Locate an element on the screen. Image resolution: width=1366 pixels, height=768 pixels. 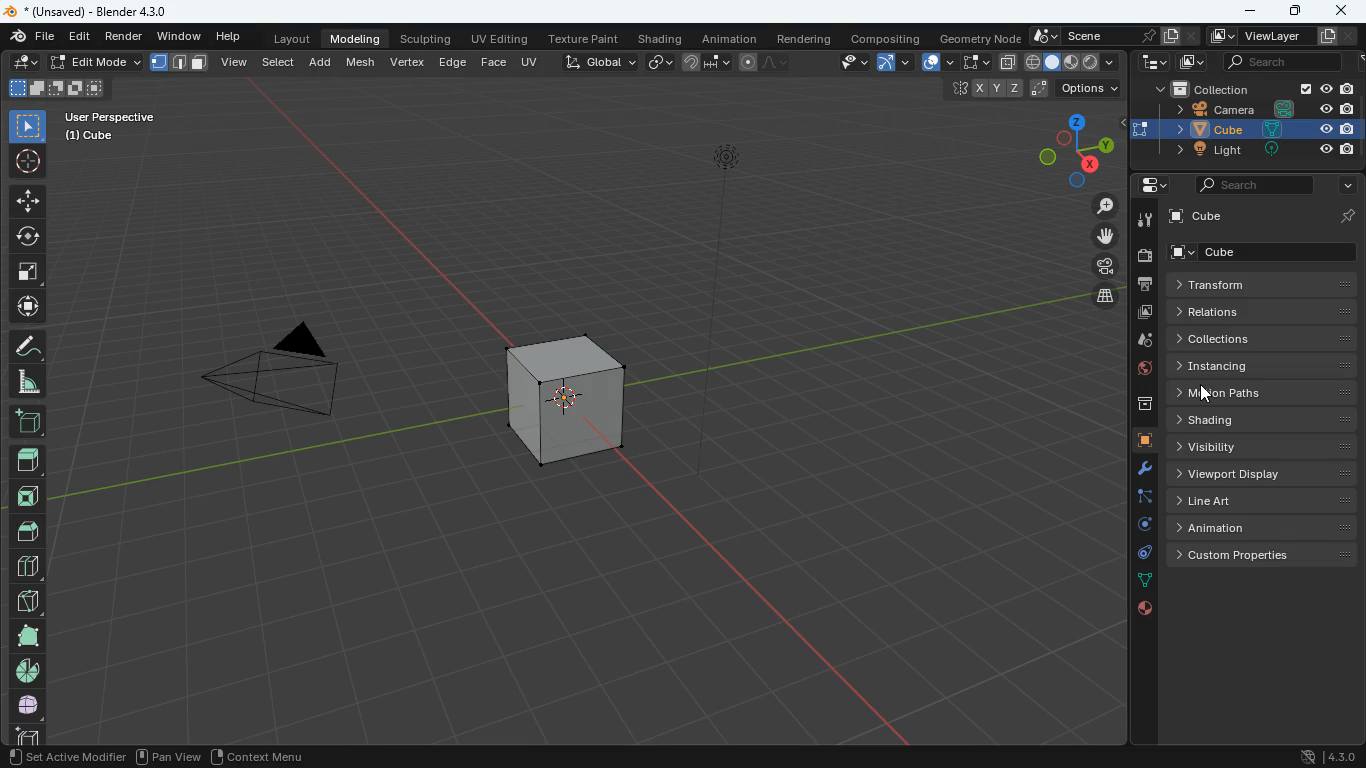
zoom is located at coordinates (1097, 207).